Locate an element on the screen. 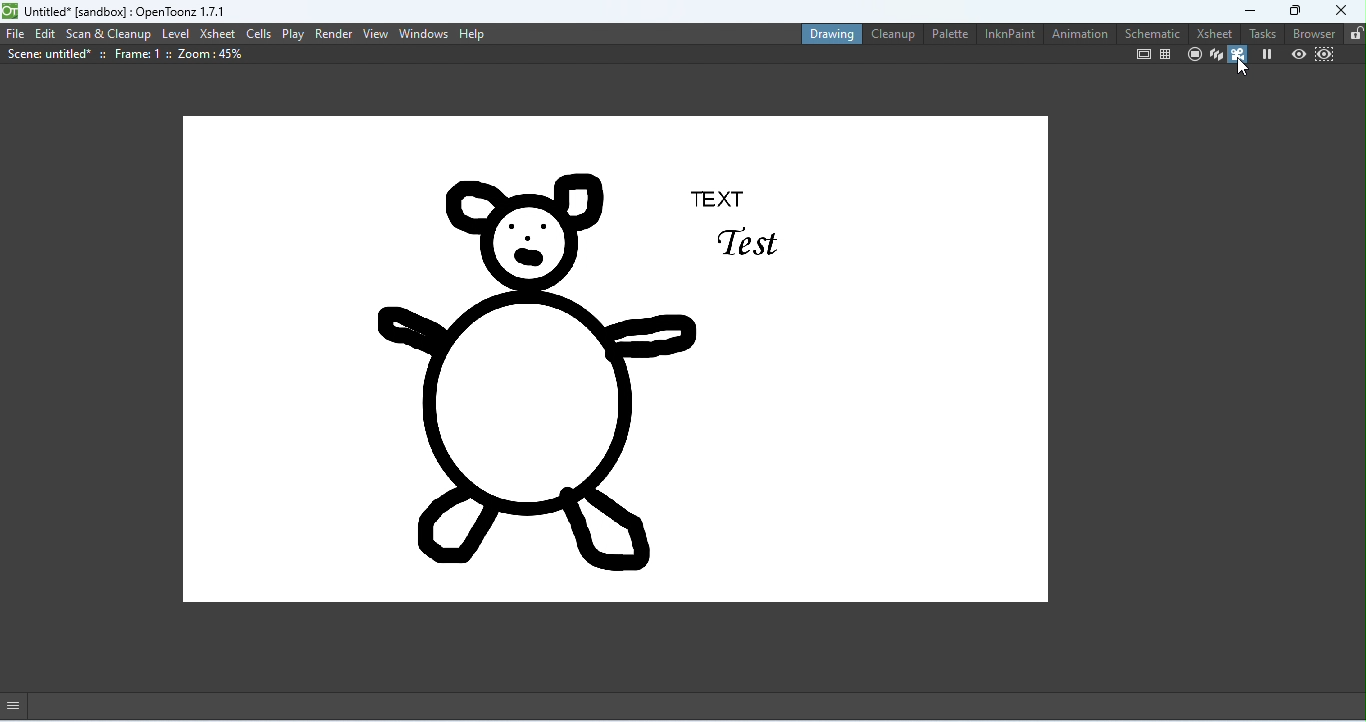 The width and height of the screenshot is (1366, 722). Cleanup is located at coordinates (891, 36).